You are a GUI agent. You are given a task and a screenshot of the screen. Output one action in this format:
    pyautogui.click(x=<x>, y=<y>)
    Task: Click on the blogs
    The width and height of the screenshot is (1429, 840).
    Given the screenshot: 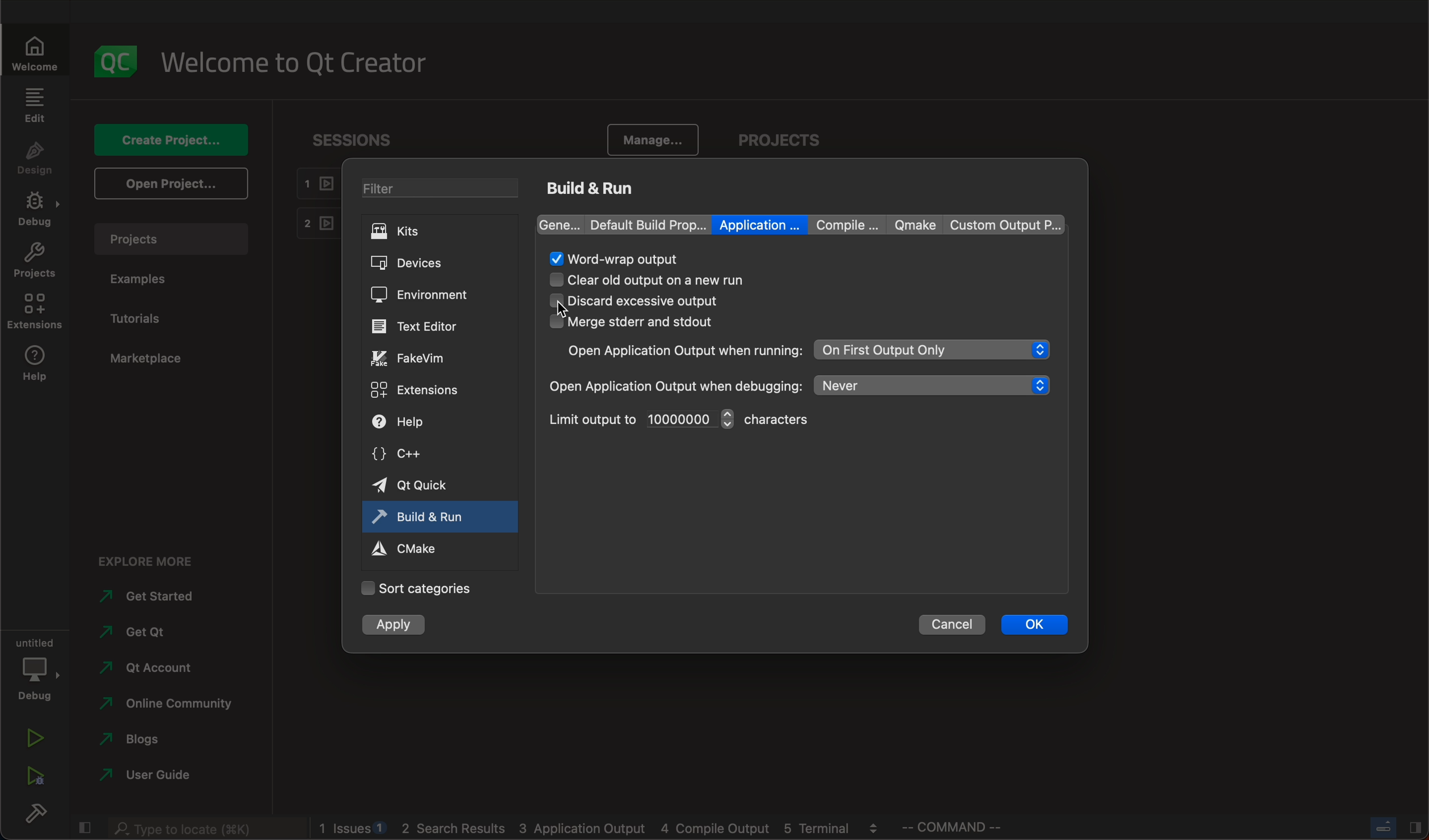 What is the action you would take?
    pyautogui.click(x=151, y=741)
    